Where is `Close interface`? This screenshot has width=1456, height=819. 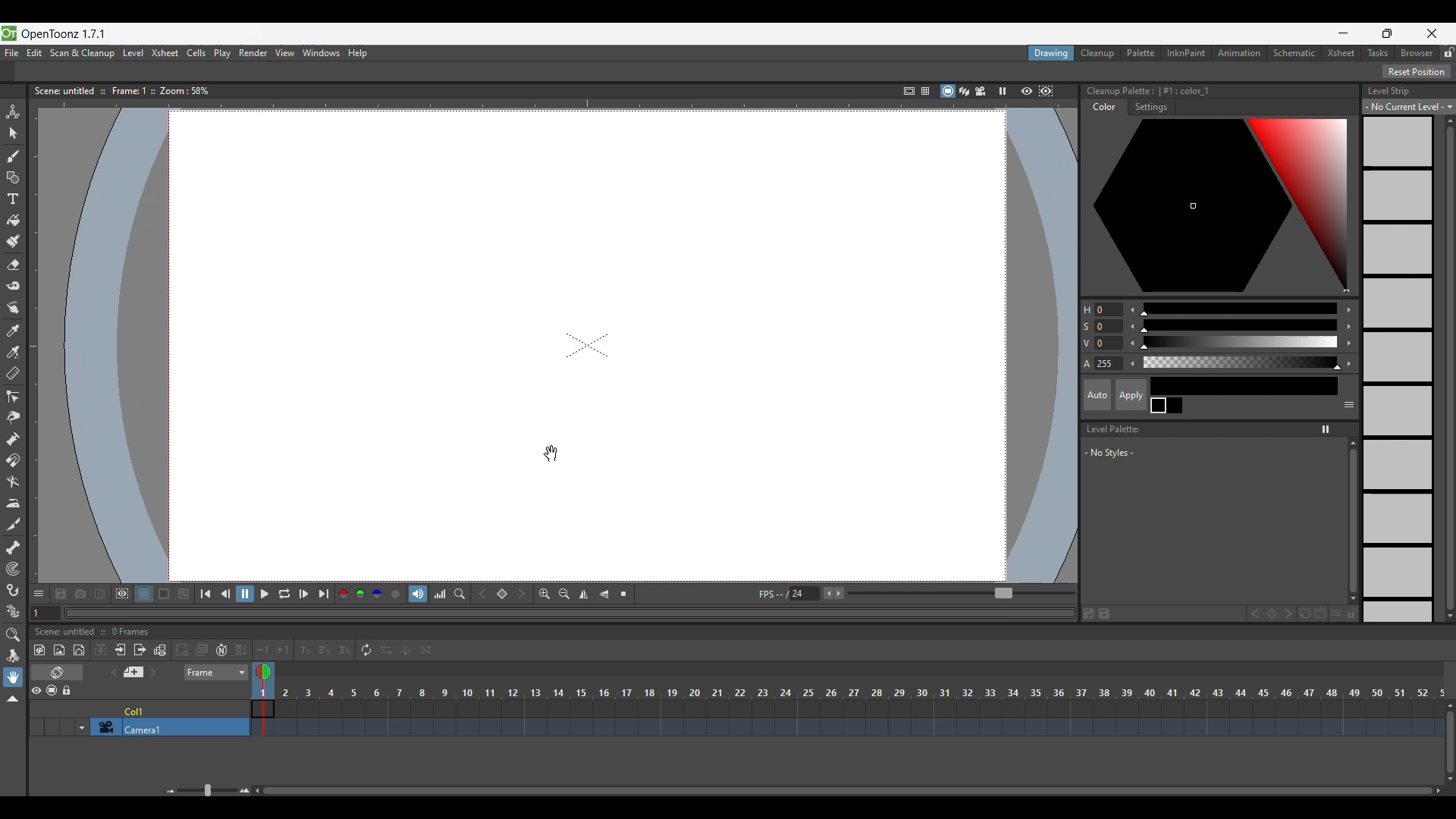
Close interface is located at coordinates (1431, 33).